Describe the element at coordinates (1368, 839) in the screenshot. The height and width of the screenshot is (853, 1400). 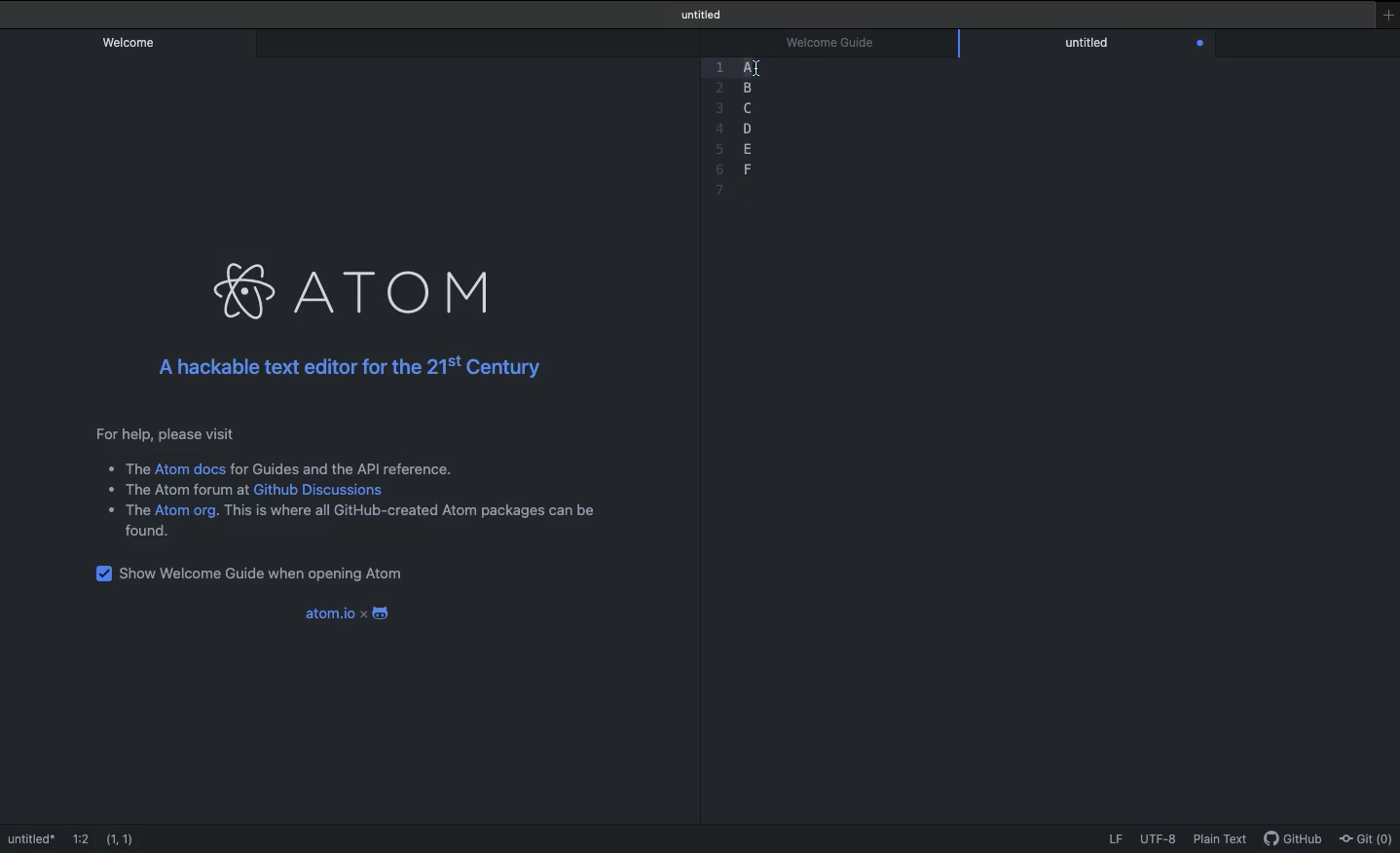
I see `Git` at that location.